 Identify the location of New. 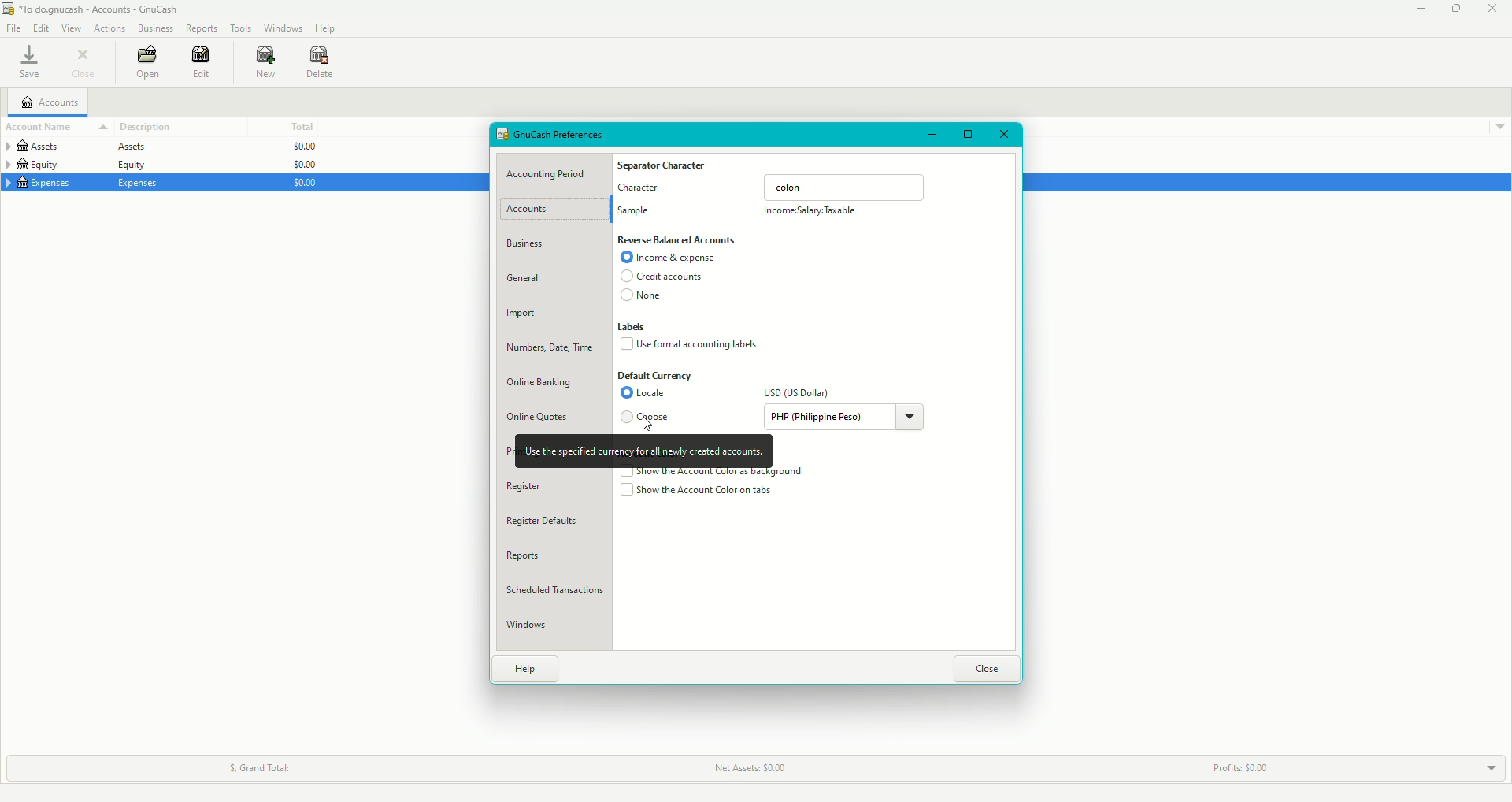
(267, 62).